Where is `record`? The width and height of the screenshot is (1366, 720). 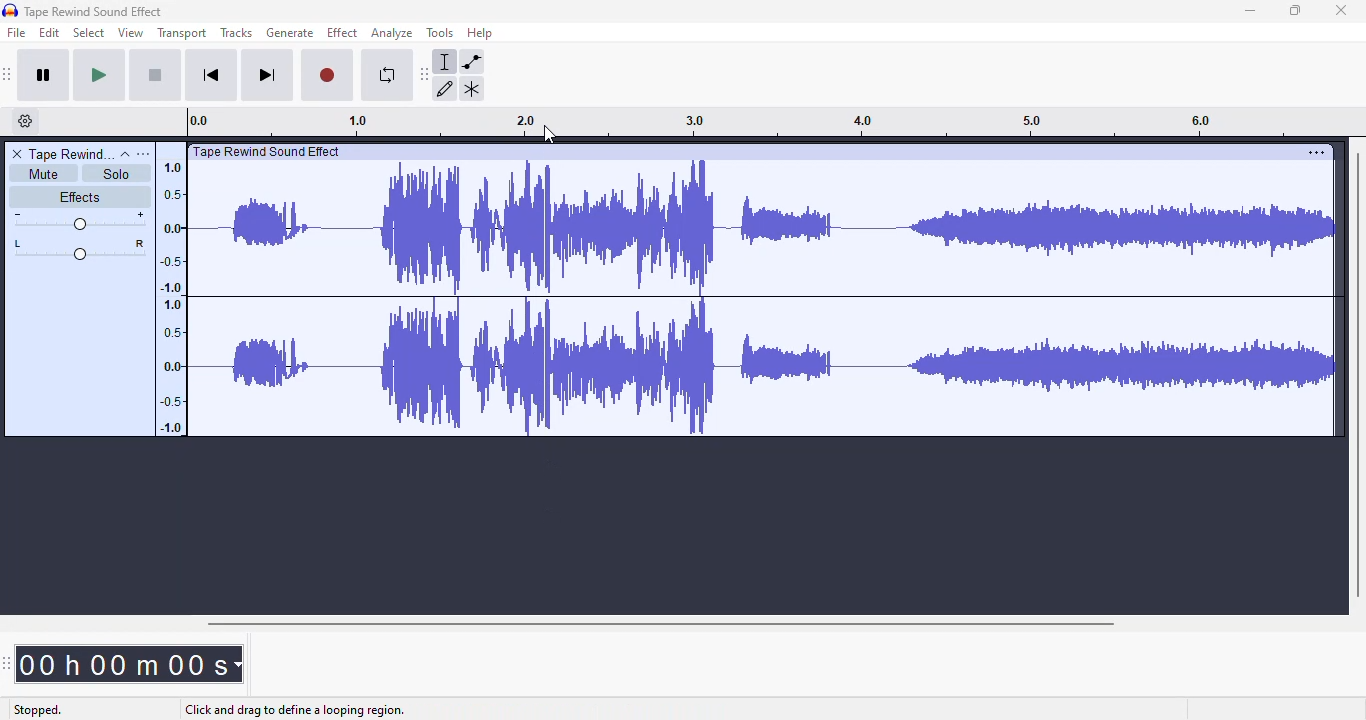
record is located at coordinates (328, 73).